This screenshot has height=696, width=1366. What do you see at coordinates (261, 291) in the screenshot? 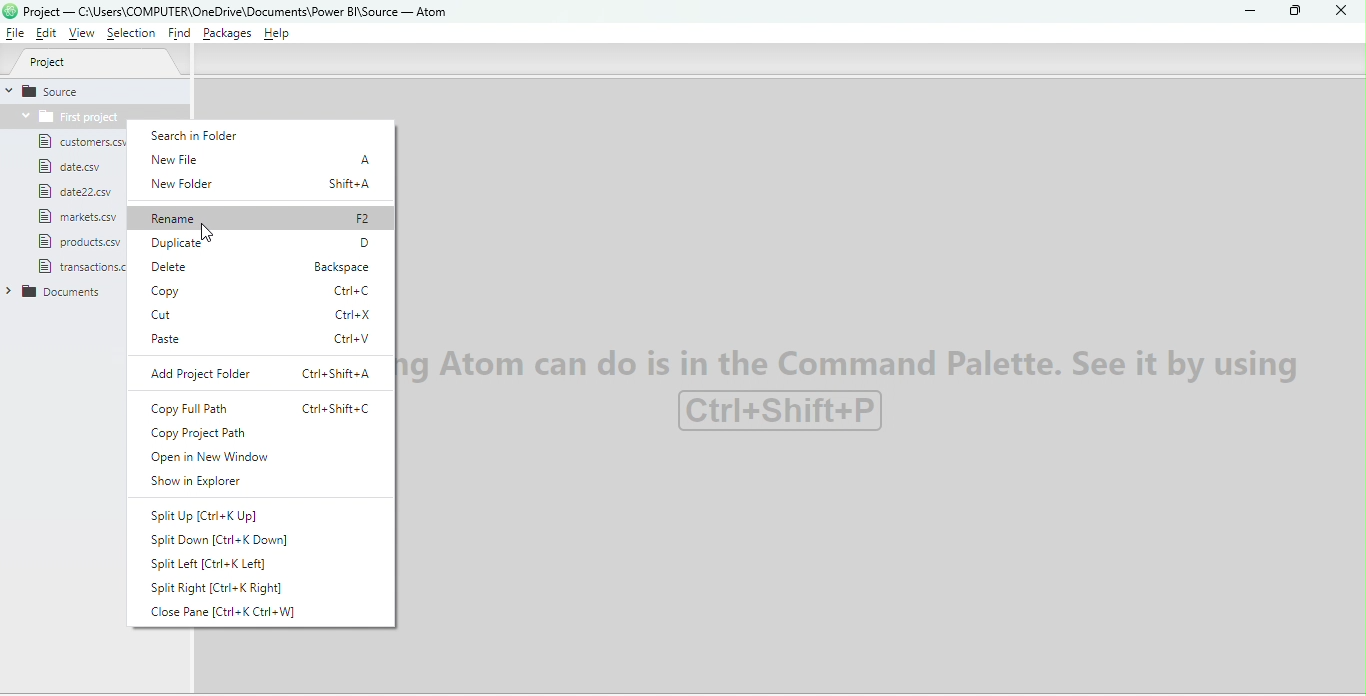
I see `Copy` at bounding box center [261, 291].